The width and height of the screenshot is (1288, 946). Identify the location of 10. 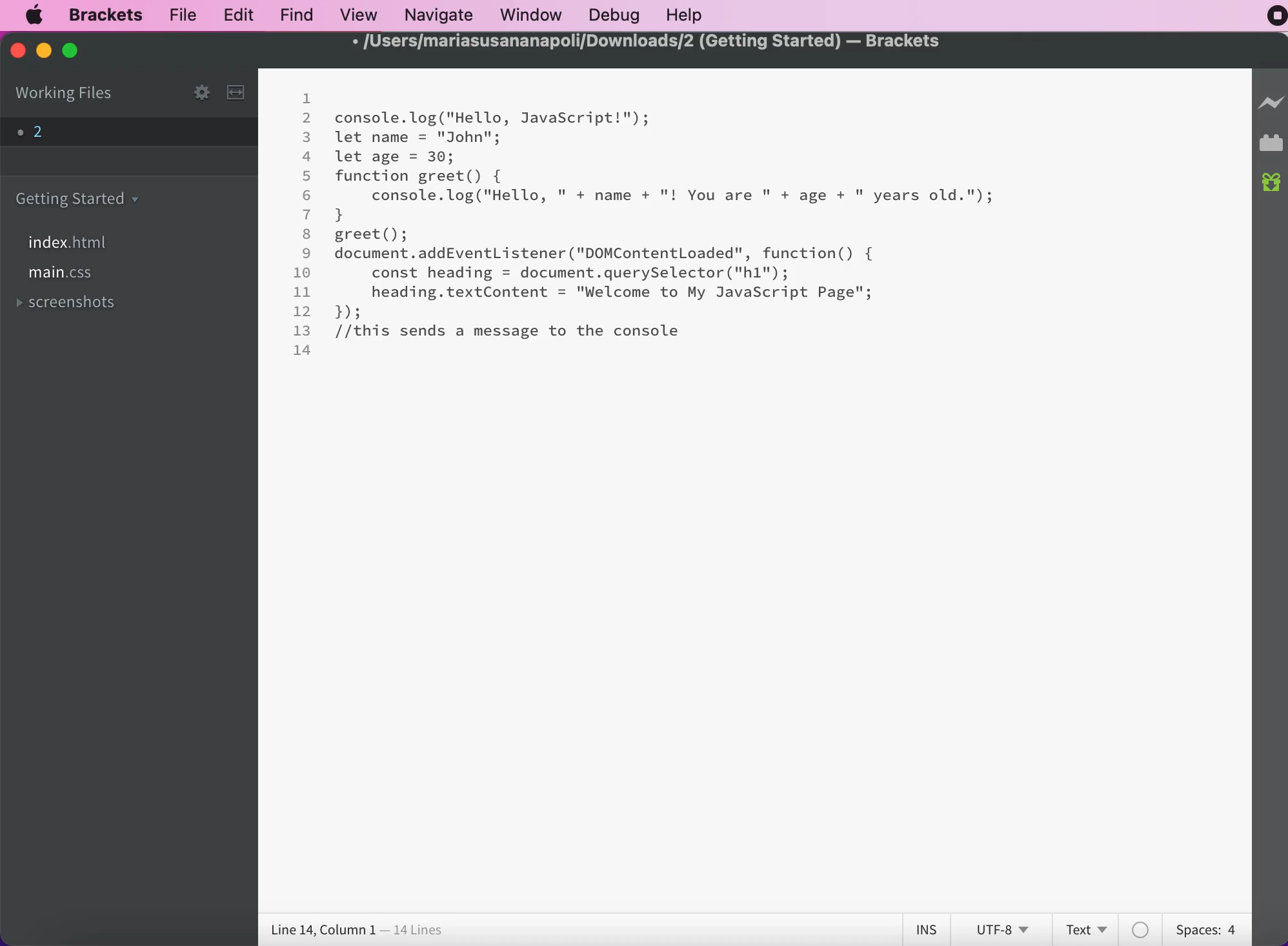
(304, 273).